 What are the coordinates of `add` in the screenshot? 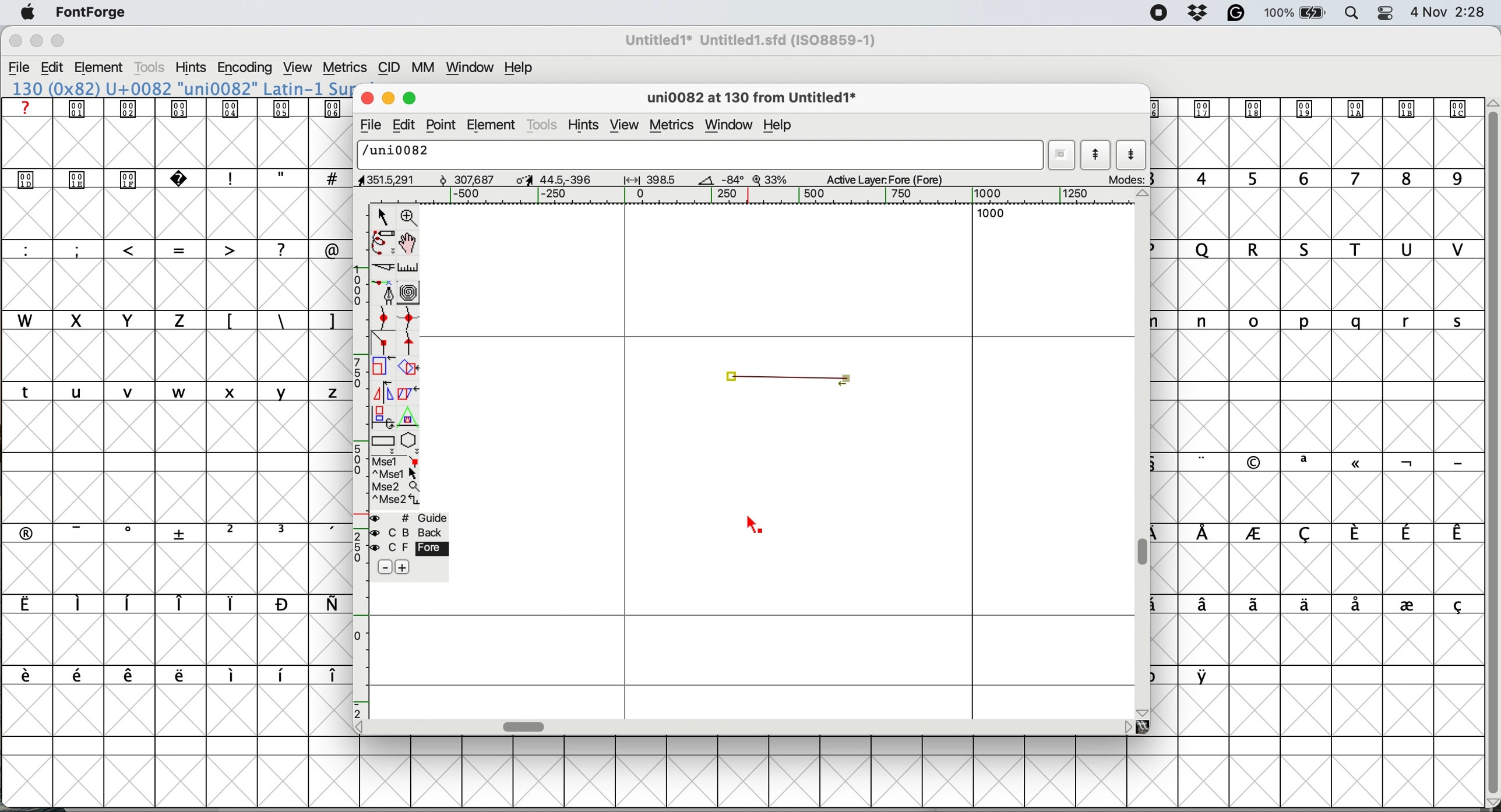 It's located at (401, 567).